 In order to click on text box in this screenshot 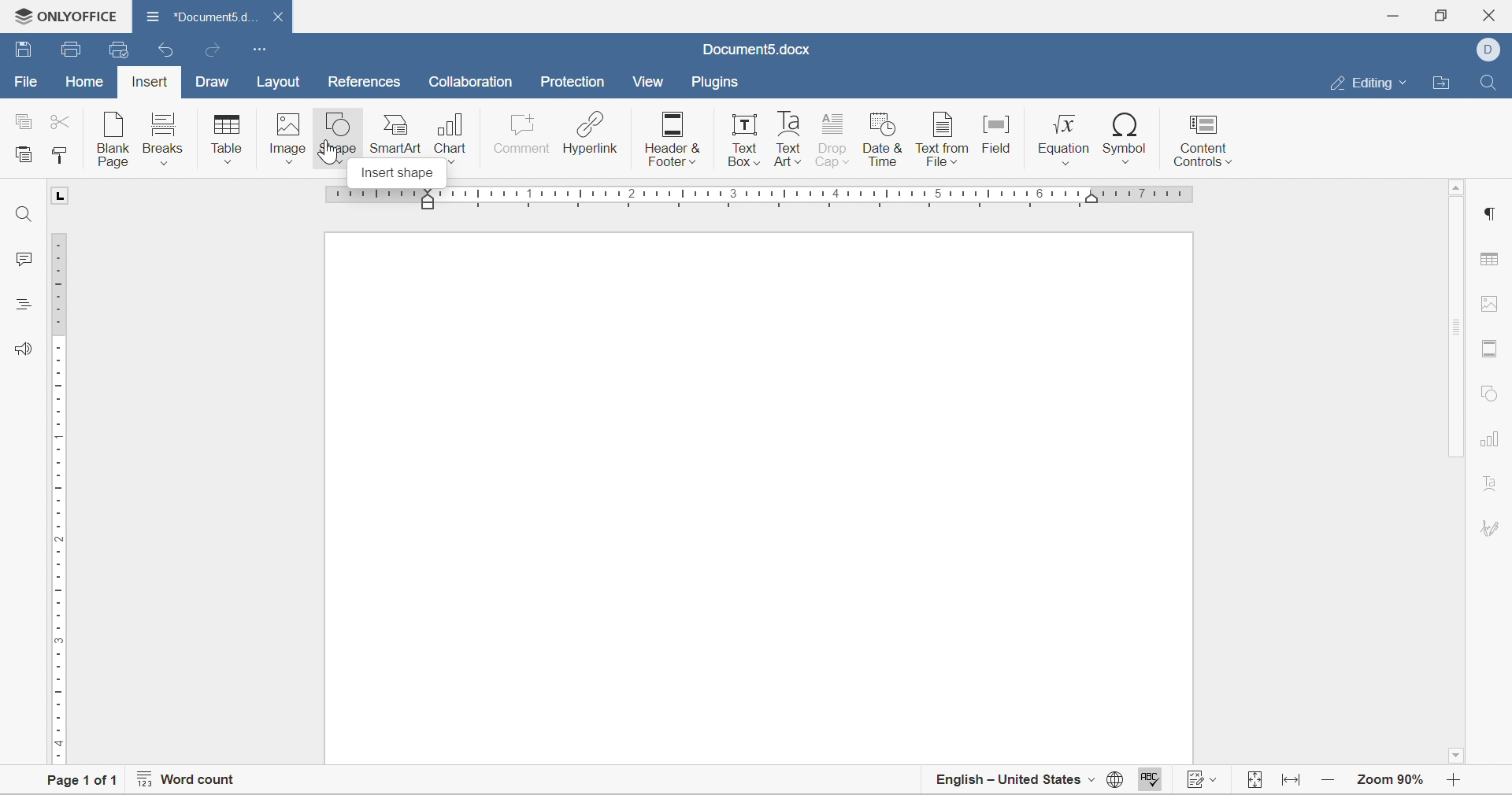, I will do `click(745, 139)`.